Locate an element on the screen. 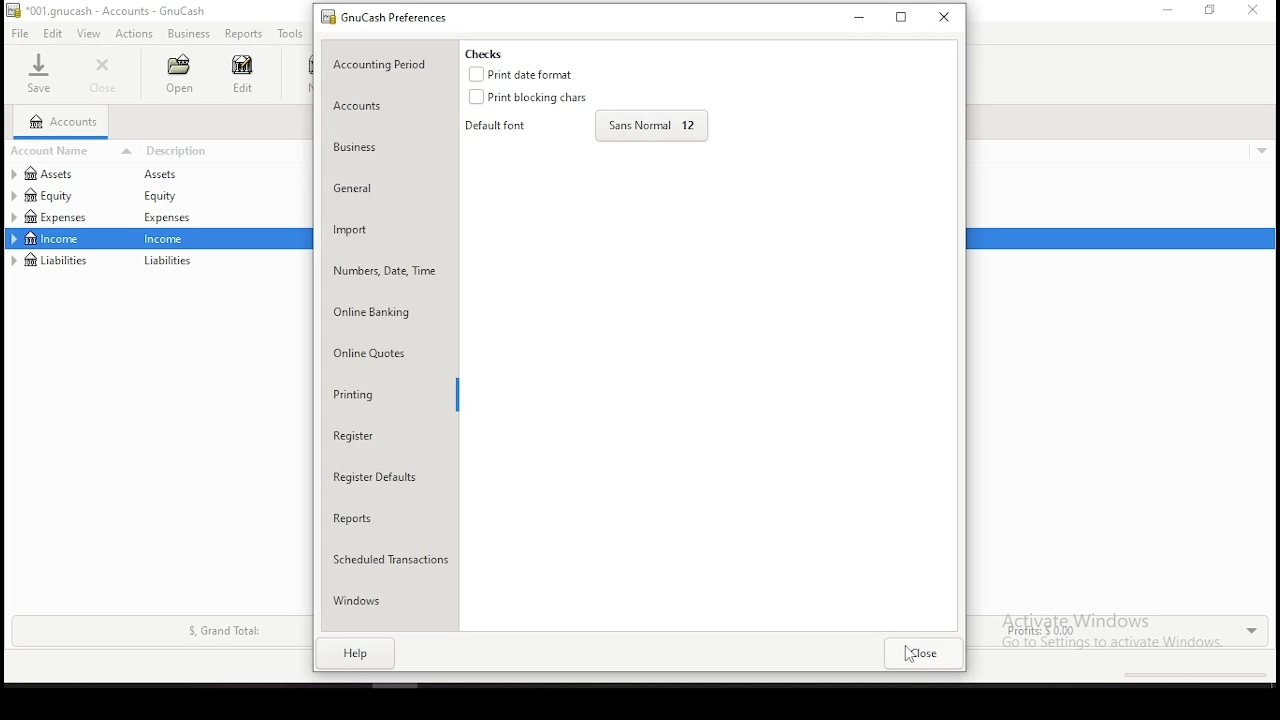  help is located at coordinates (357, 652).